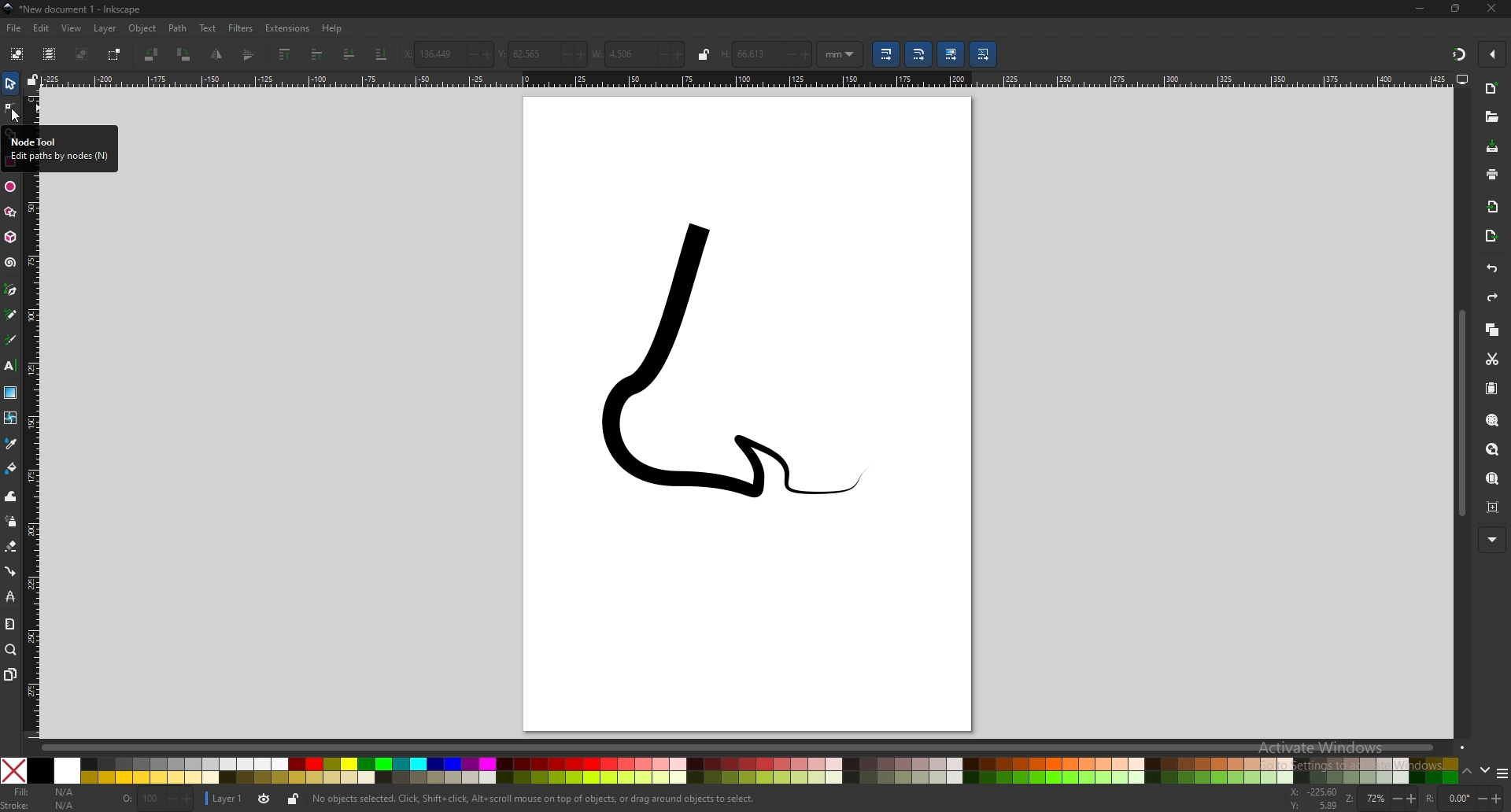 The image size is (1511, 812). Describe the element at coordinates (11, 571) in the screenshot. I see `connector` at that location.